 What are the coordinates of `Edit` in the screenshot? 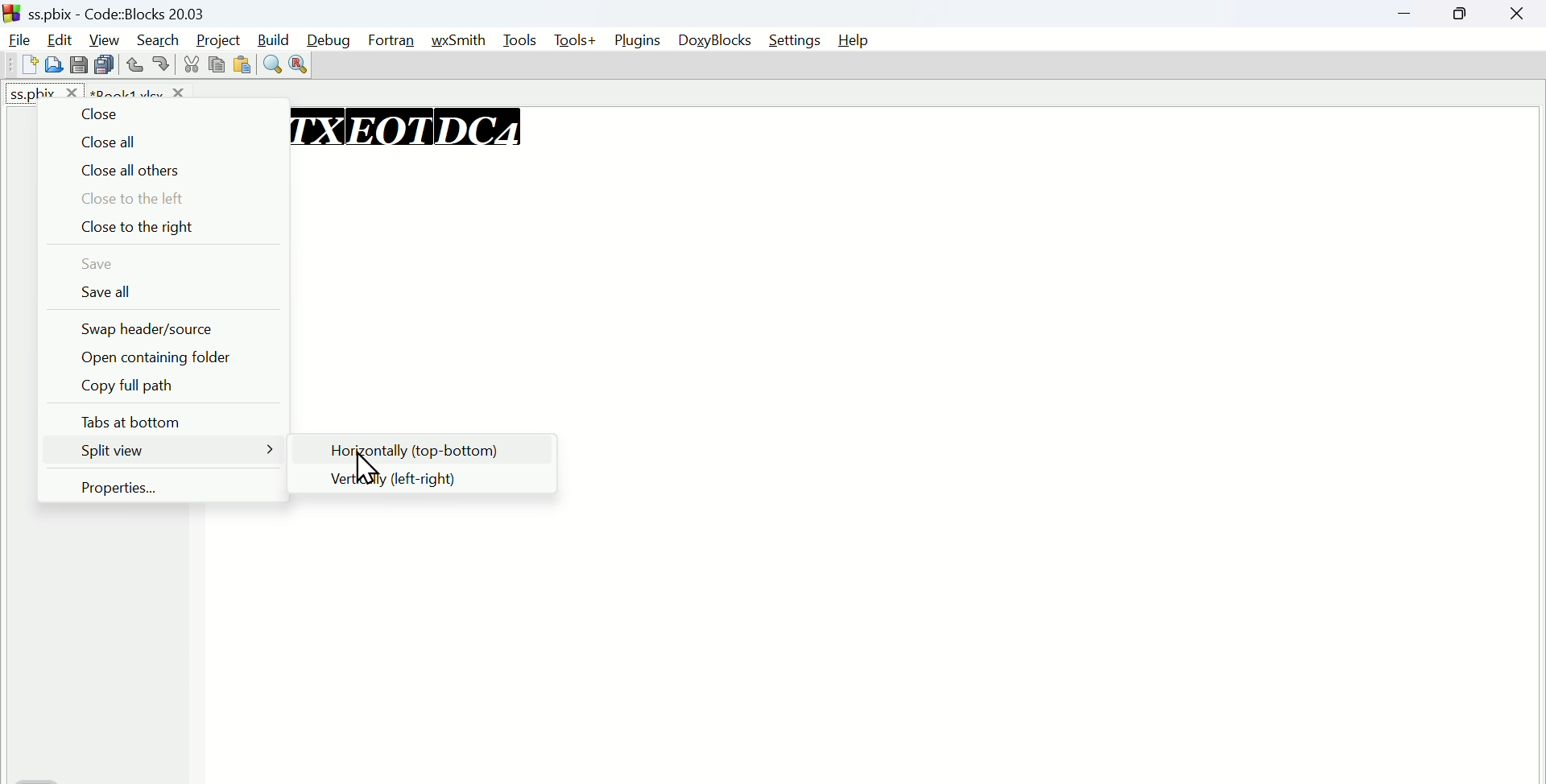 It's located at (62, 36).